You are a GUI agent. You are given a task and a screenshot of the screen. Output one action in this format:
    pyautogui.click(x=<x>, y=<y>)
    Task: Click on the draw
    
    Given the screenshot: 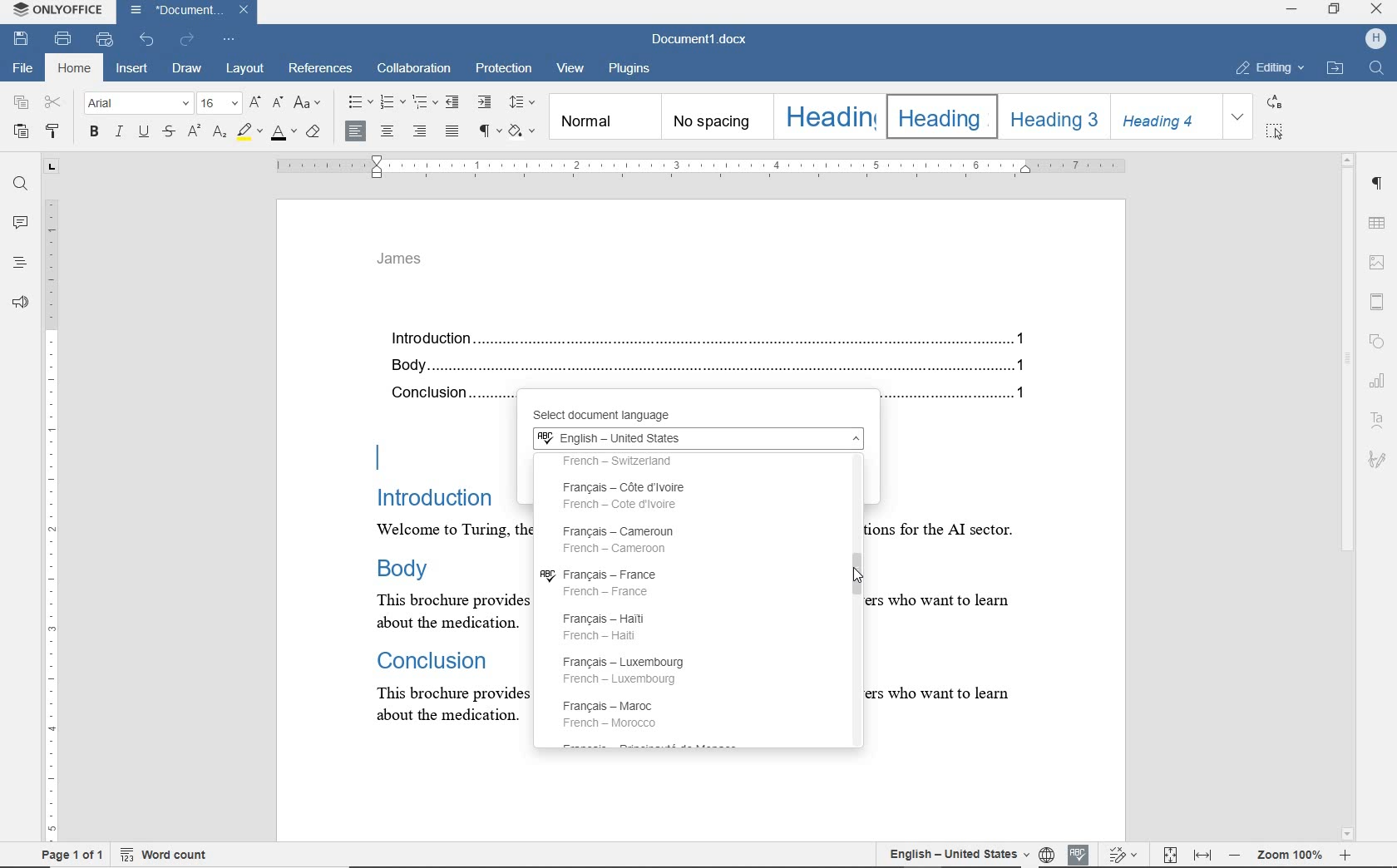 What is the action you would take?
    pyautogui.click(x=190, y=70)
    